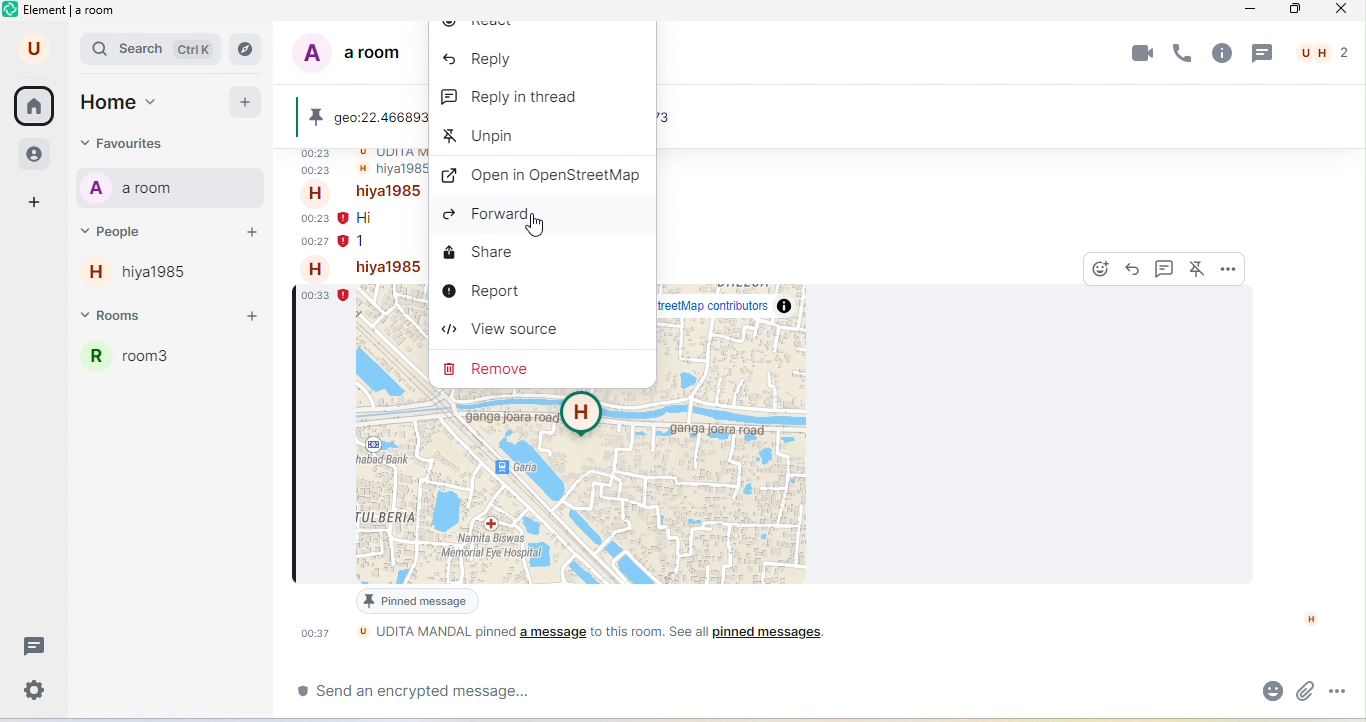 Image resolution: width=1366 pixels, height=722 pixels. I want to click on attachment, so click(1305, 690).